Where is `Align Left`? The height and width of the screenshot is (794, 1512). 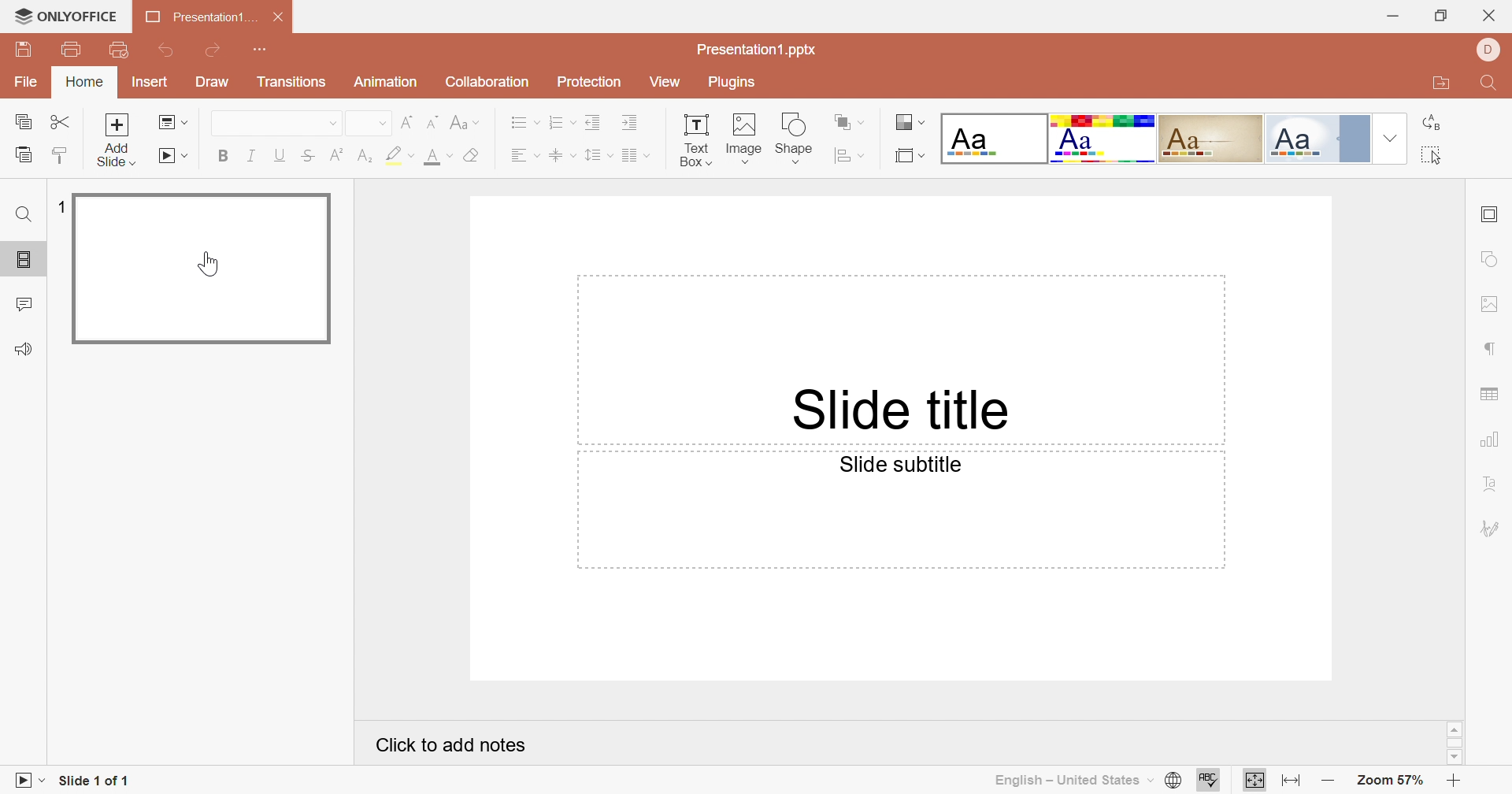 Align Left is located at coordinates (526, 151).